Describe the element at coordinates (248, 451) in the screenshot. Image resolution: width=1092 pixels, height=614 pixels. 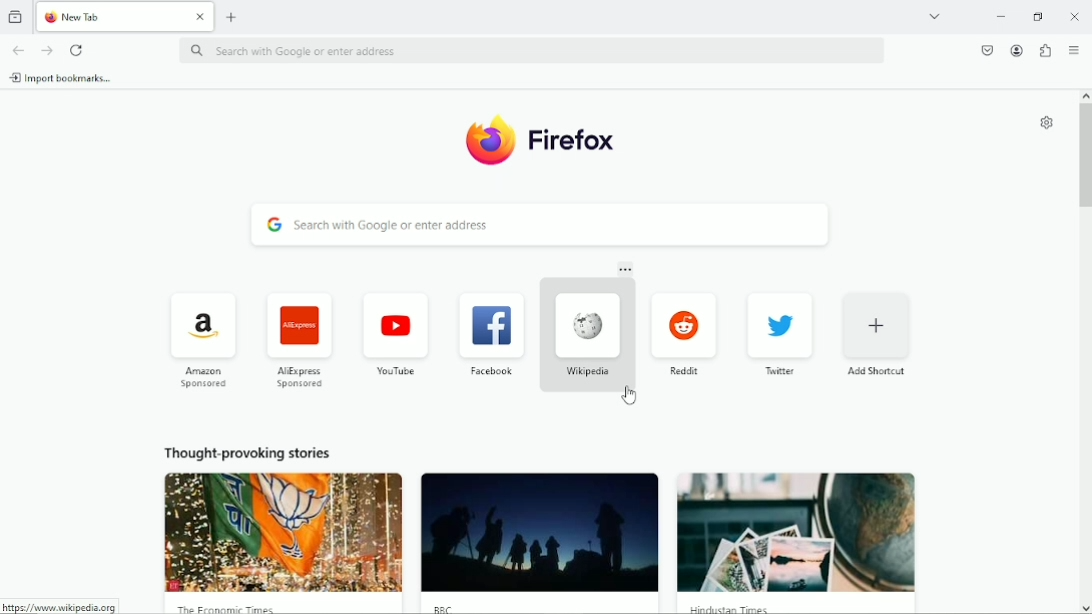
I see `Thought provoking stories` at that location.